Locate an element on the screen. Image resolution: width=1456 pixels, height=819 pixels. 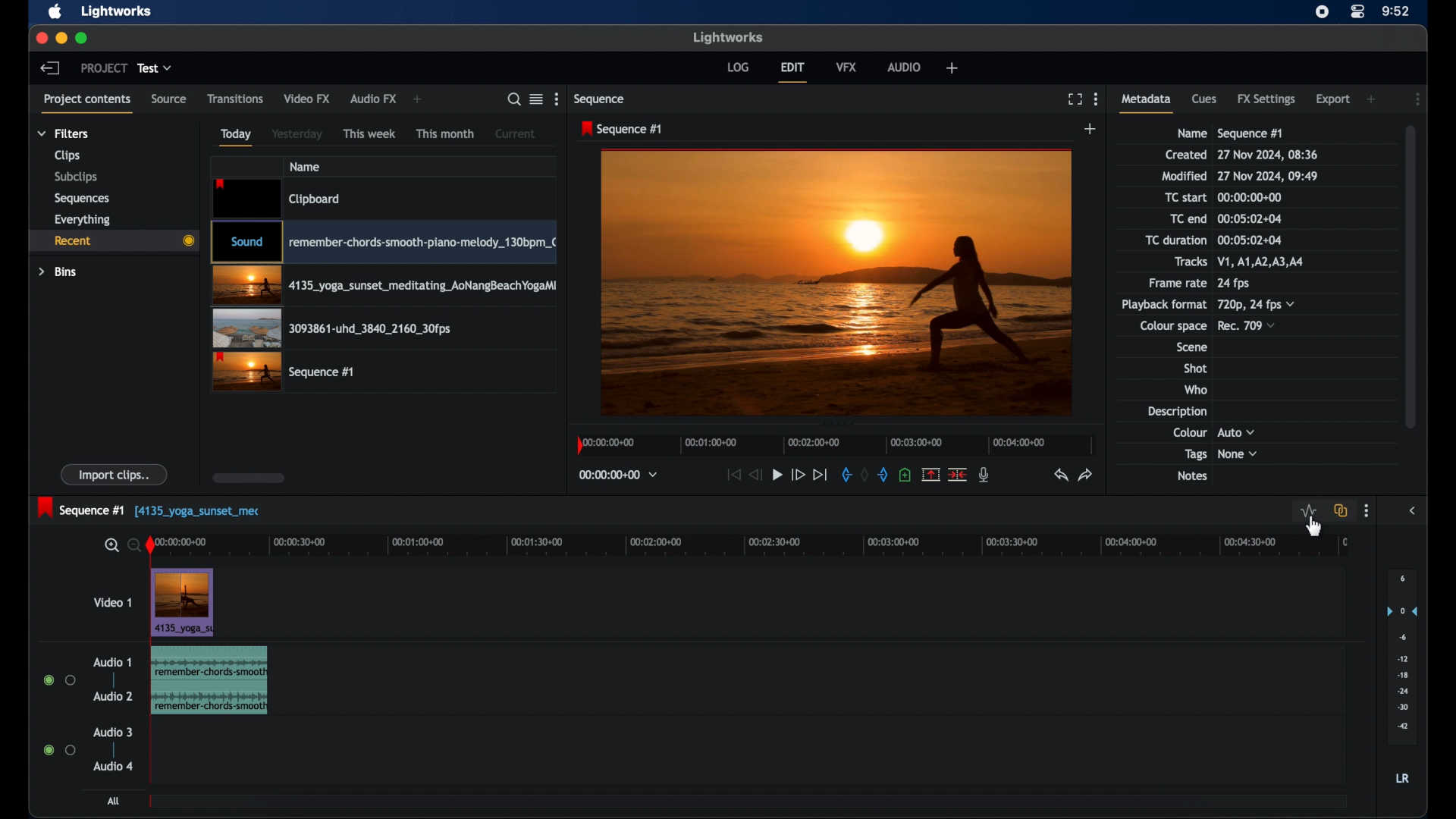
timeline  is located at coordinates (759, 546).